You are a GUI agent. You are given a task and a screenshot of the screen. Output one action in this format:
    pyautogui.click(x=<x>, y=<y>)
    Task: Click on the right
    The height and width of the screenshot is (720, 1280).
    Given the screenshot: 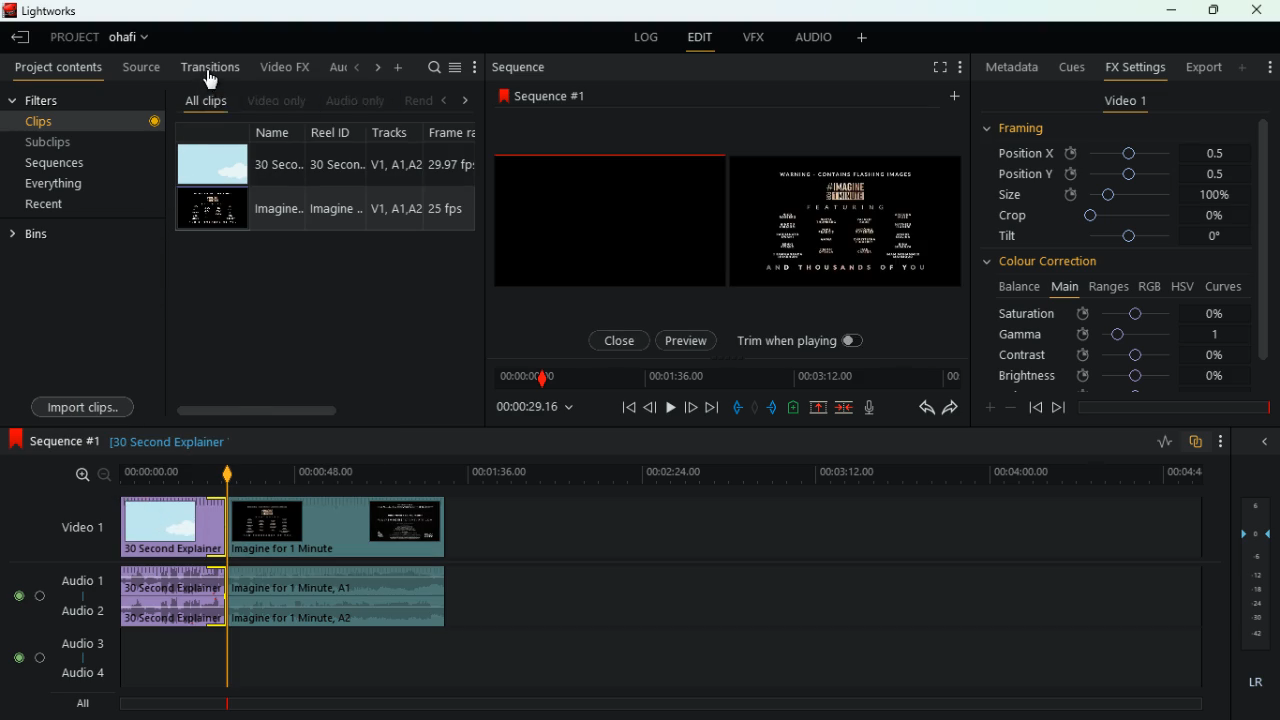 What is the action you would take?
    pyautogui.click(x=466, y=101)
    